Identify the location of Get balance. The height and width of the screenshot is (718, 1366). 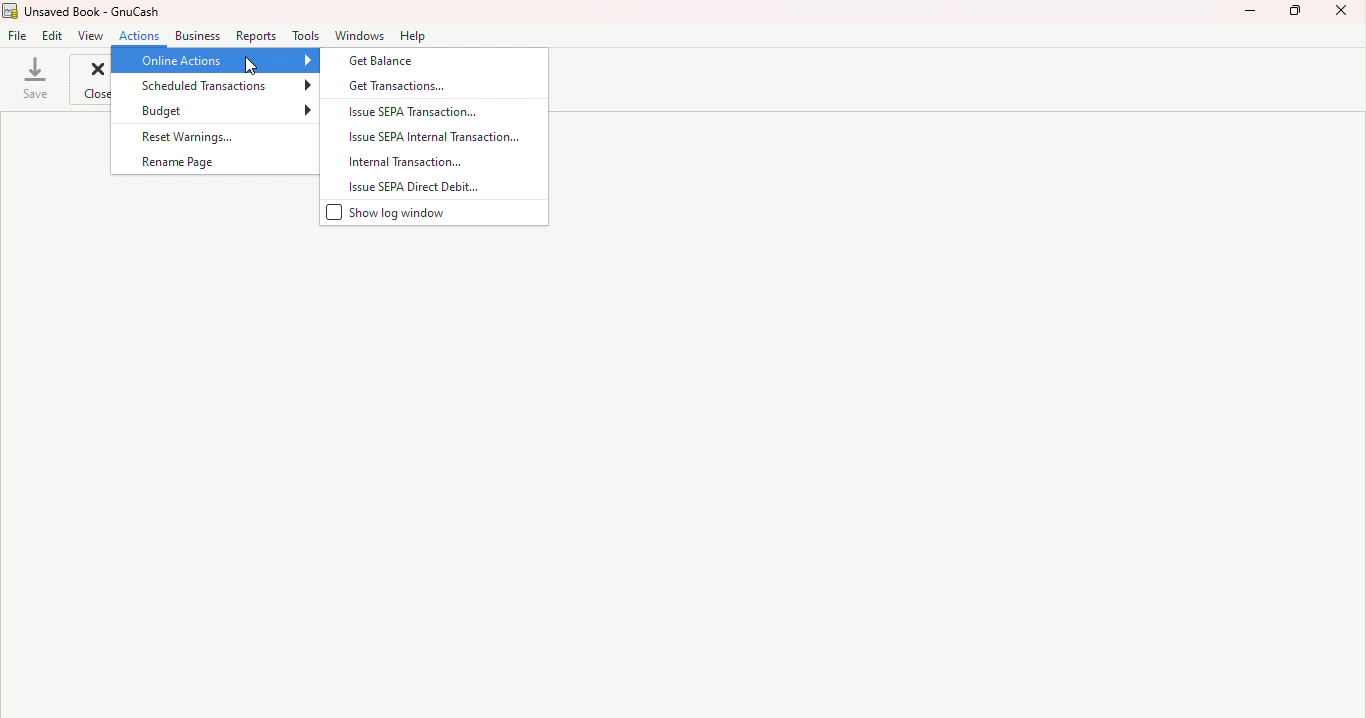
(438, 64).